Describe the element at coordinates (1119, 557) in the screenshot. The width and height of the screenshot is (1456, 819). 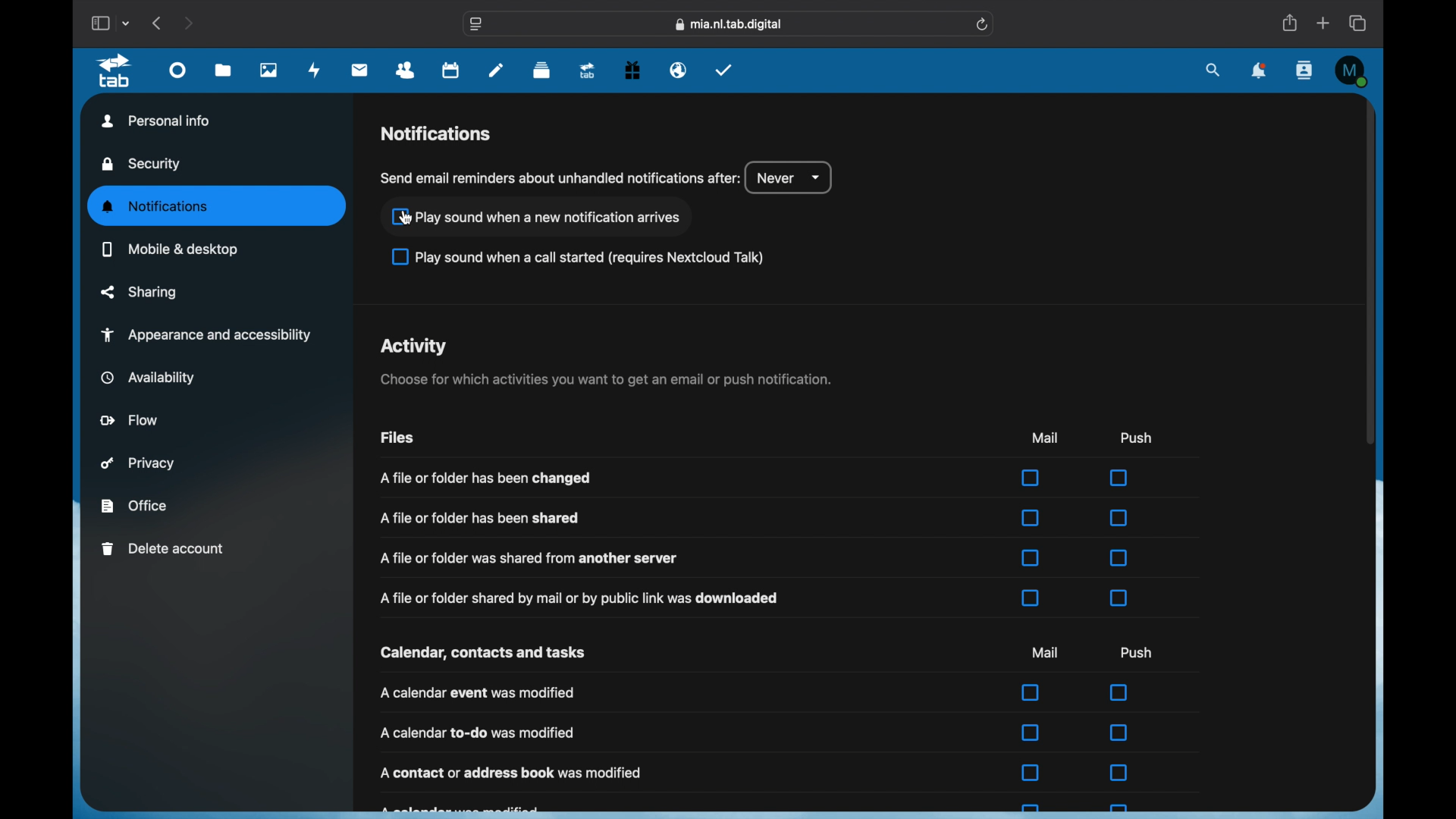
I see `checkbox` at that location.